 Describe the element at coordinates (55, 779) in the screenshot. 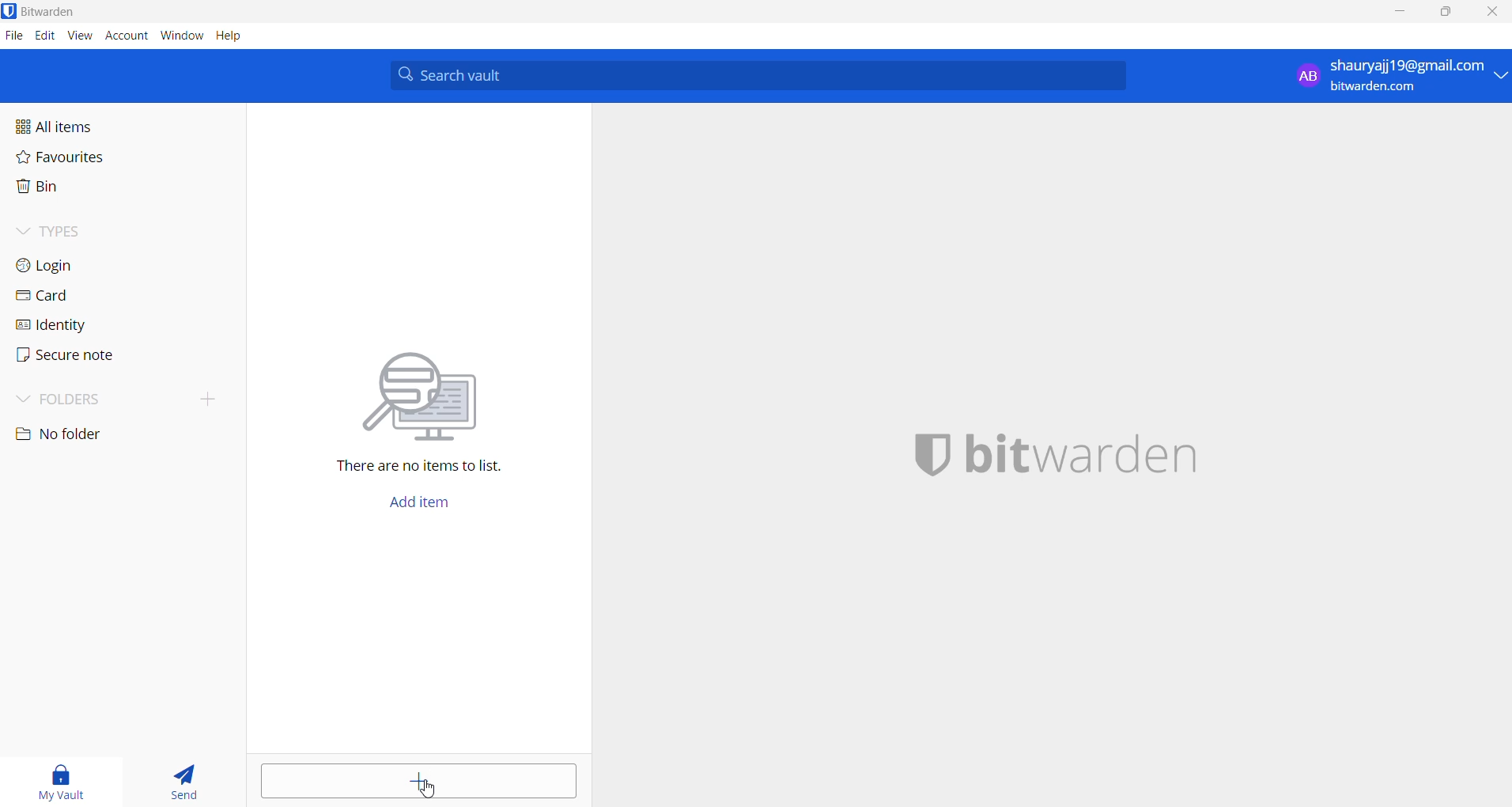

I see `my vault` at that location.